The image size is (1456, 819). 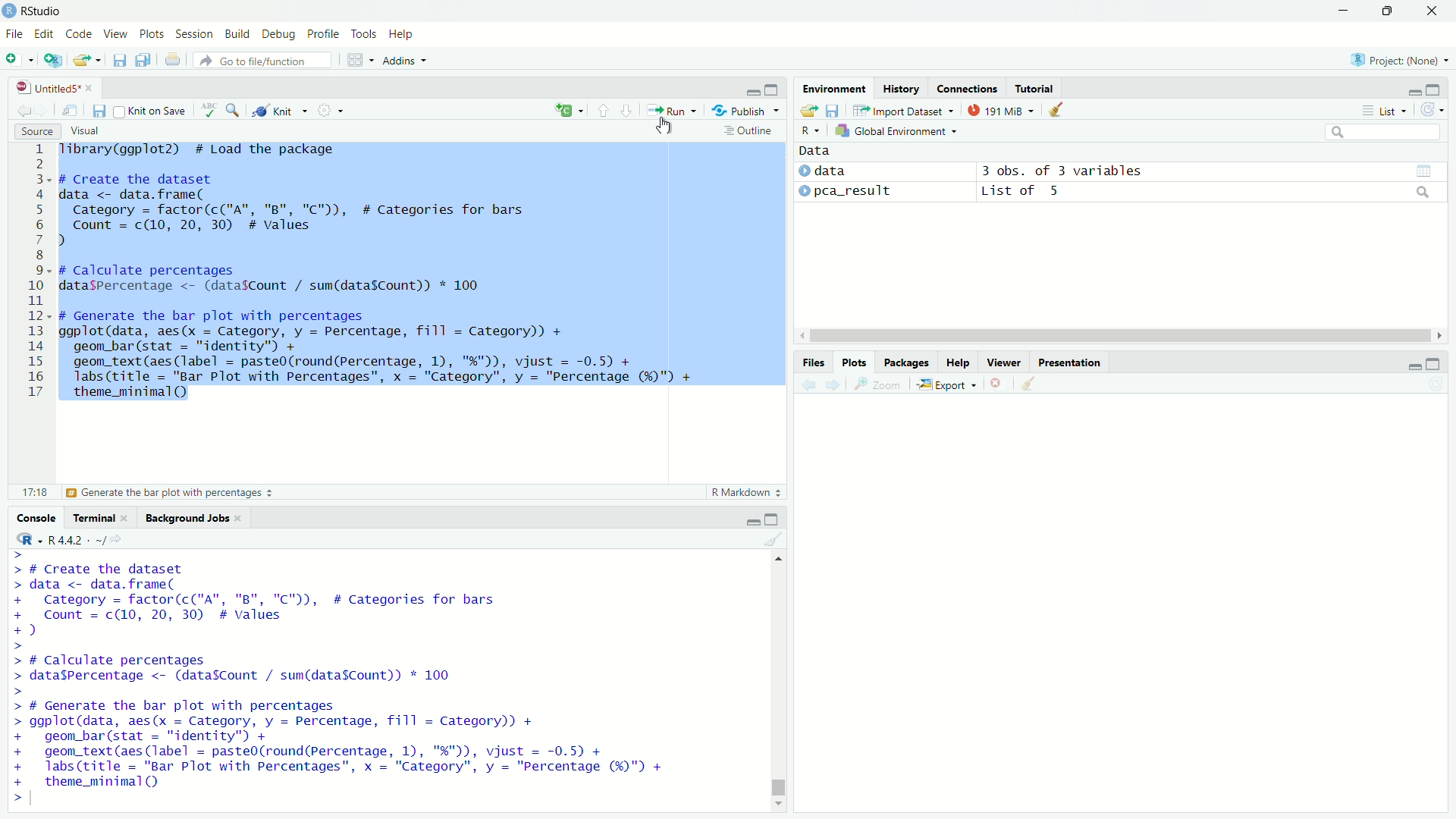 What do you see at coordinates (107, 492) in the screenshot?
I see `calculate percentages` at bounding box center [107, 492].